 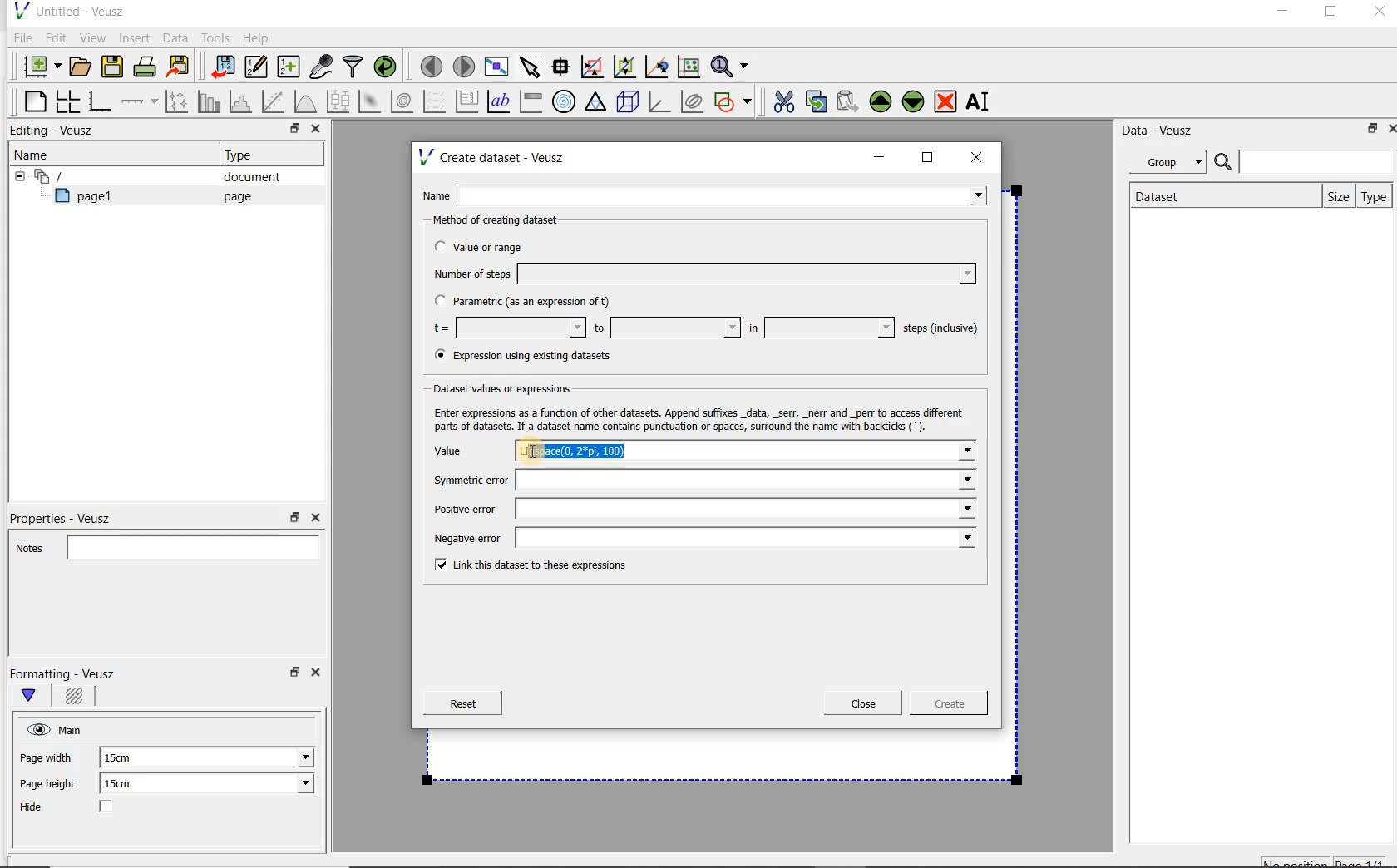 I want to click on view plot full screen, so click(x=495, y=65).